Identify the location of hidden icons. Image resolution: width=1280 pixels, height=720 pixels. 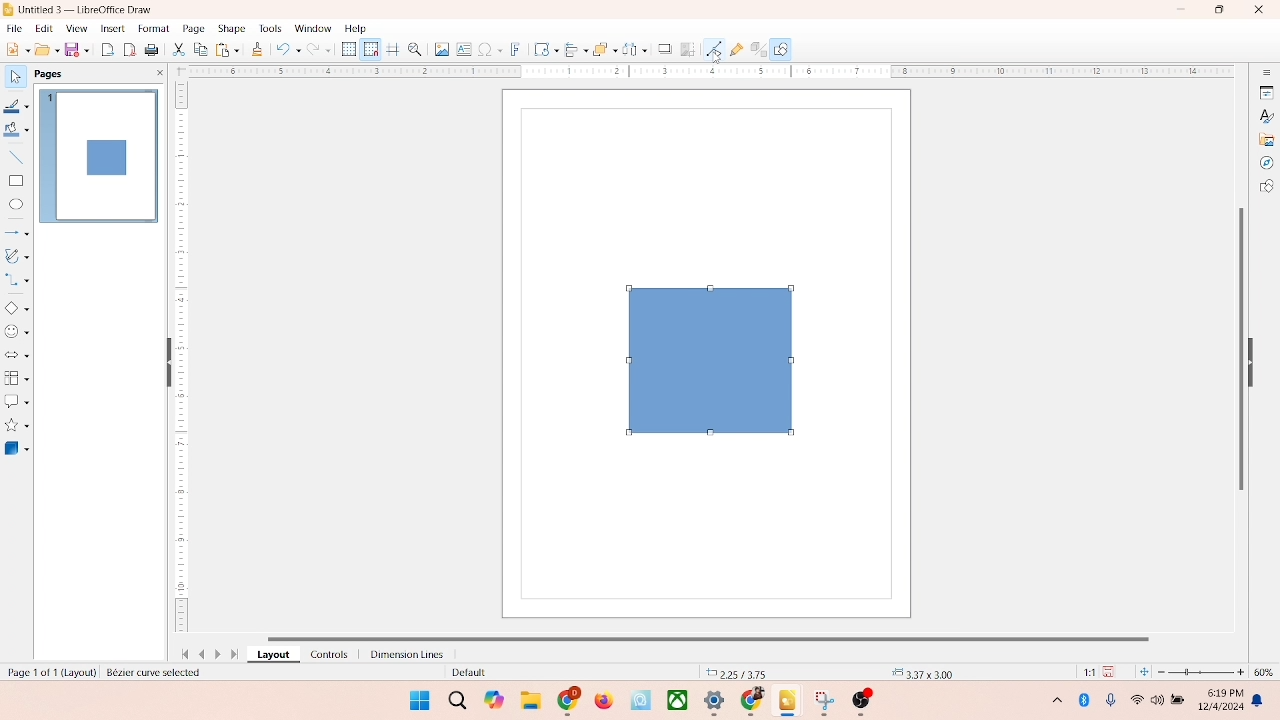
(1047, 703).